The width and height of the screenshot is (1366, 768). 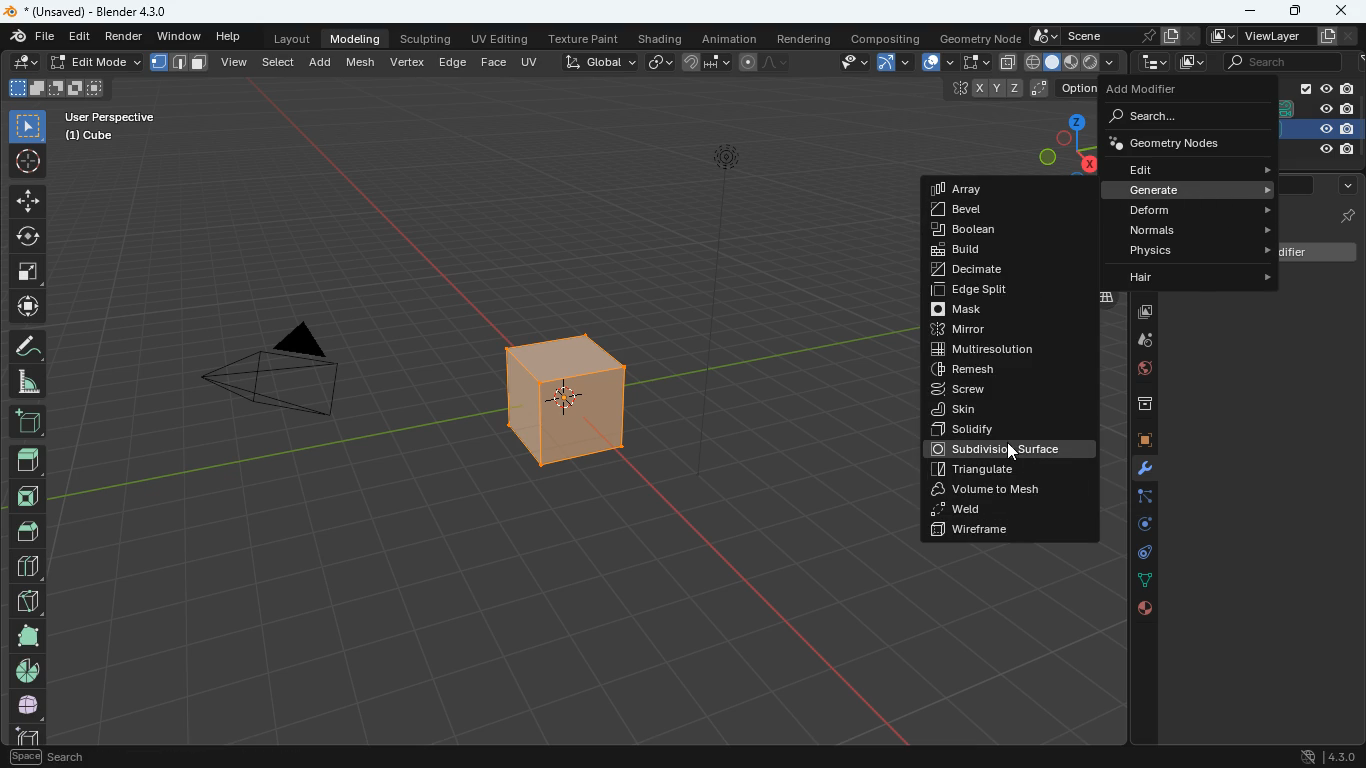 What do you see at coordinates (73, 63) in the screenshot?
I see `edit` at bounding box center [73, 63].